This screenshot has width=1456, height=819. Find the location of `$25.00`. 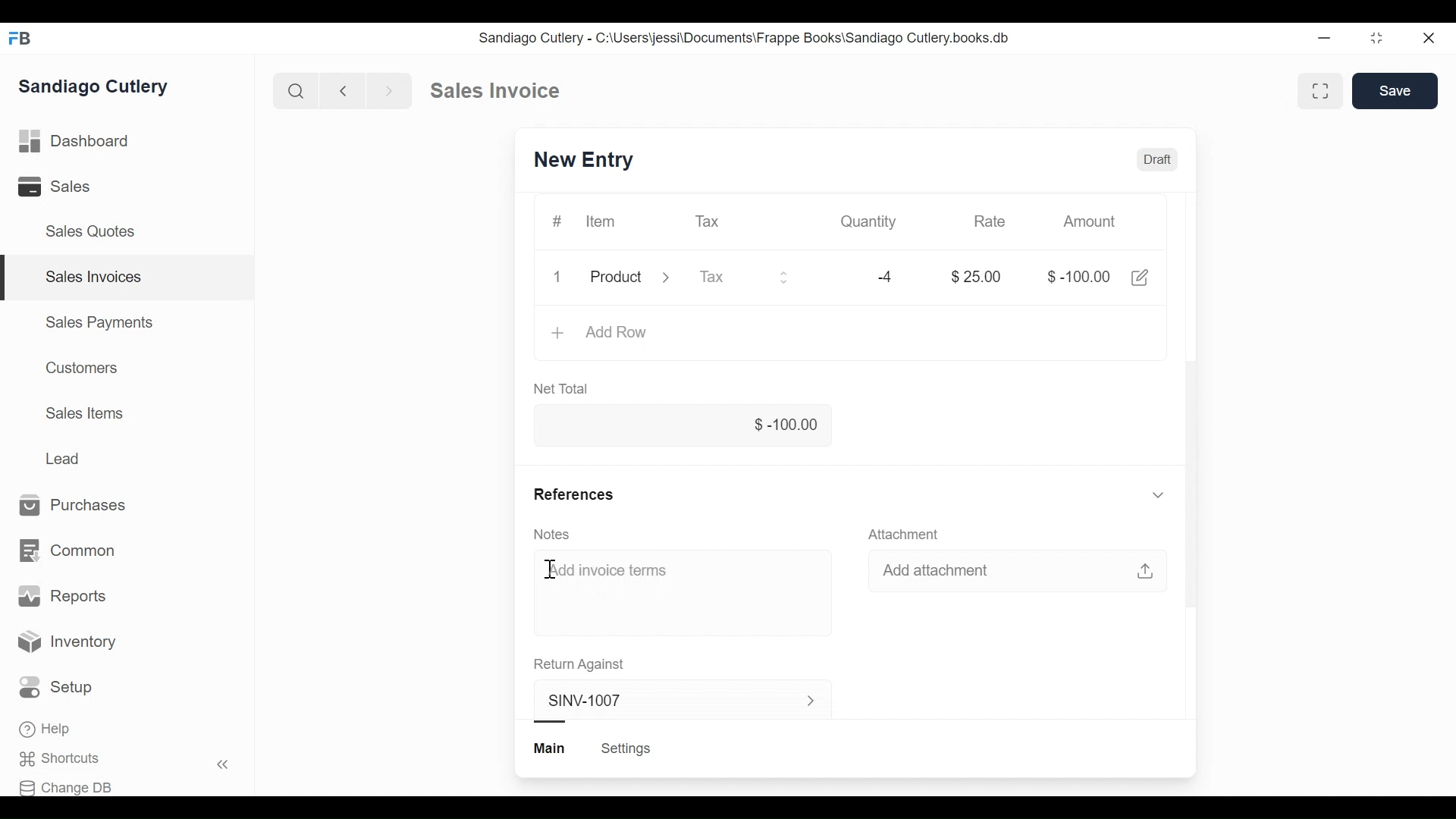

$25.00 is located at coordinates (977, 276).